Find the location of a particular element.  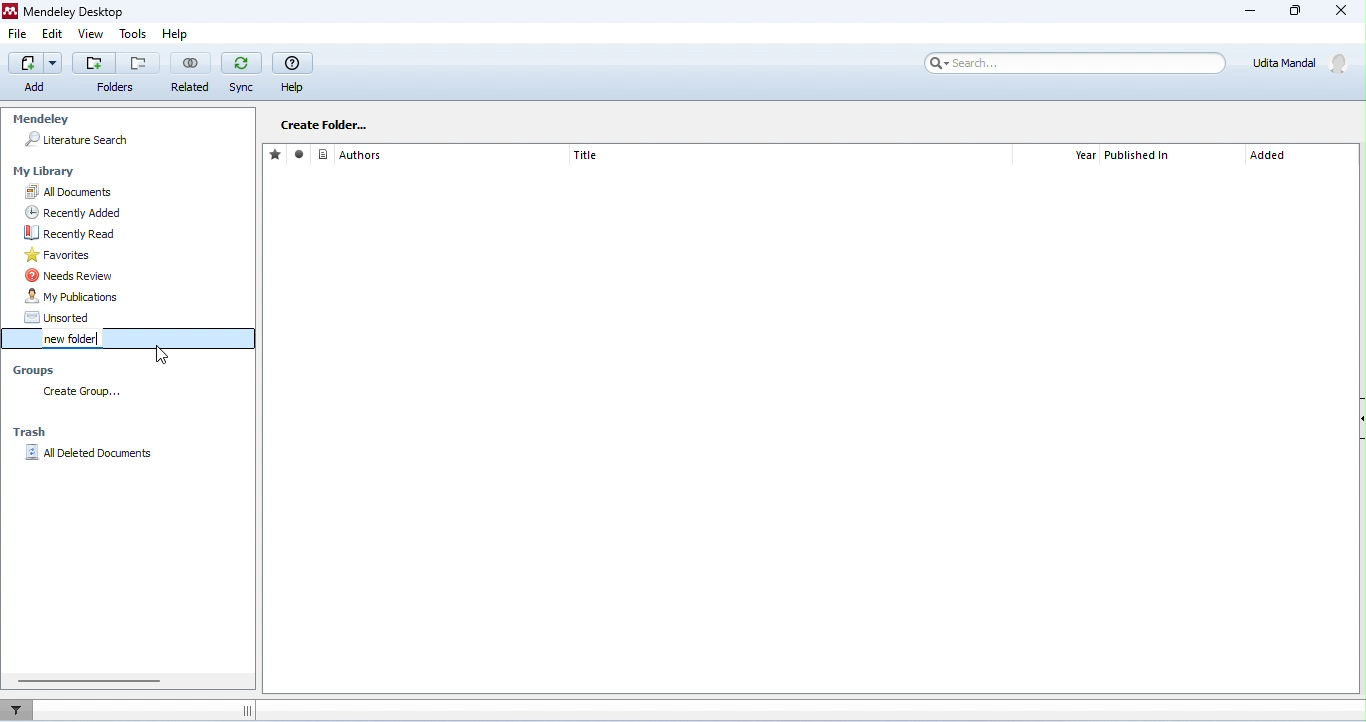

create group is located at coordinates (87, 393).